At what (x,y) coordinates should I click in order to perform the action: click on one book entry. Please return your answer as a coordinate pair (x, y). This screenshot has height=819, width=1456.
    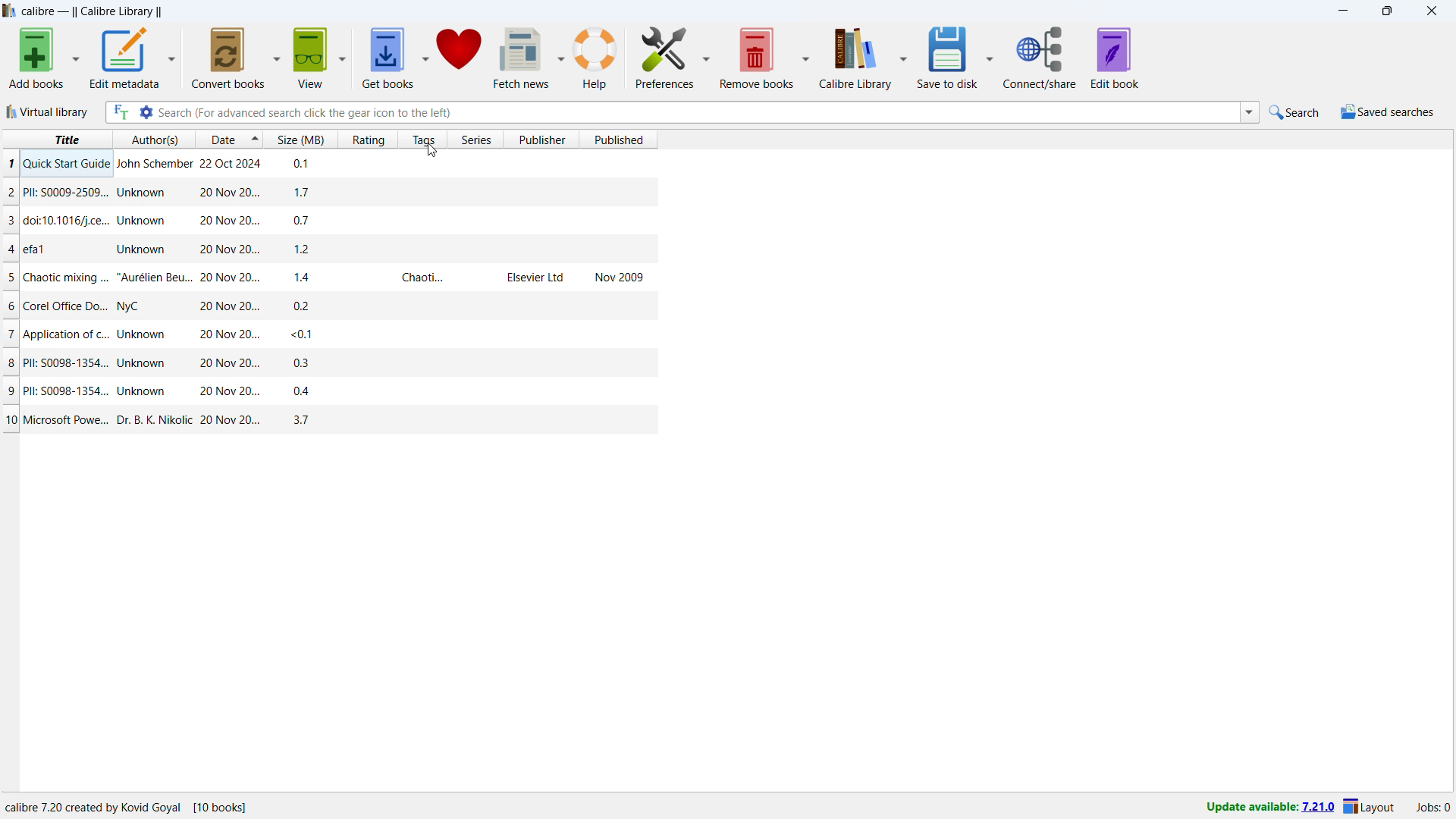
    Looking at the image, I should click on (325, 364).